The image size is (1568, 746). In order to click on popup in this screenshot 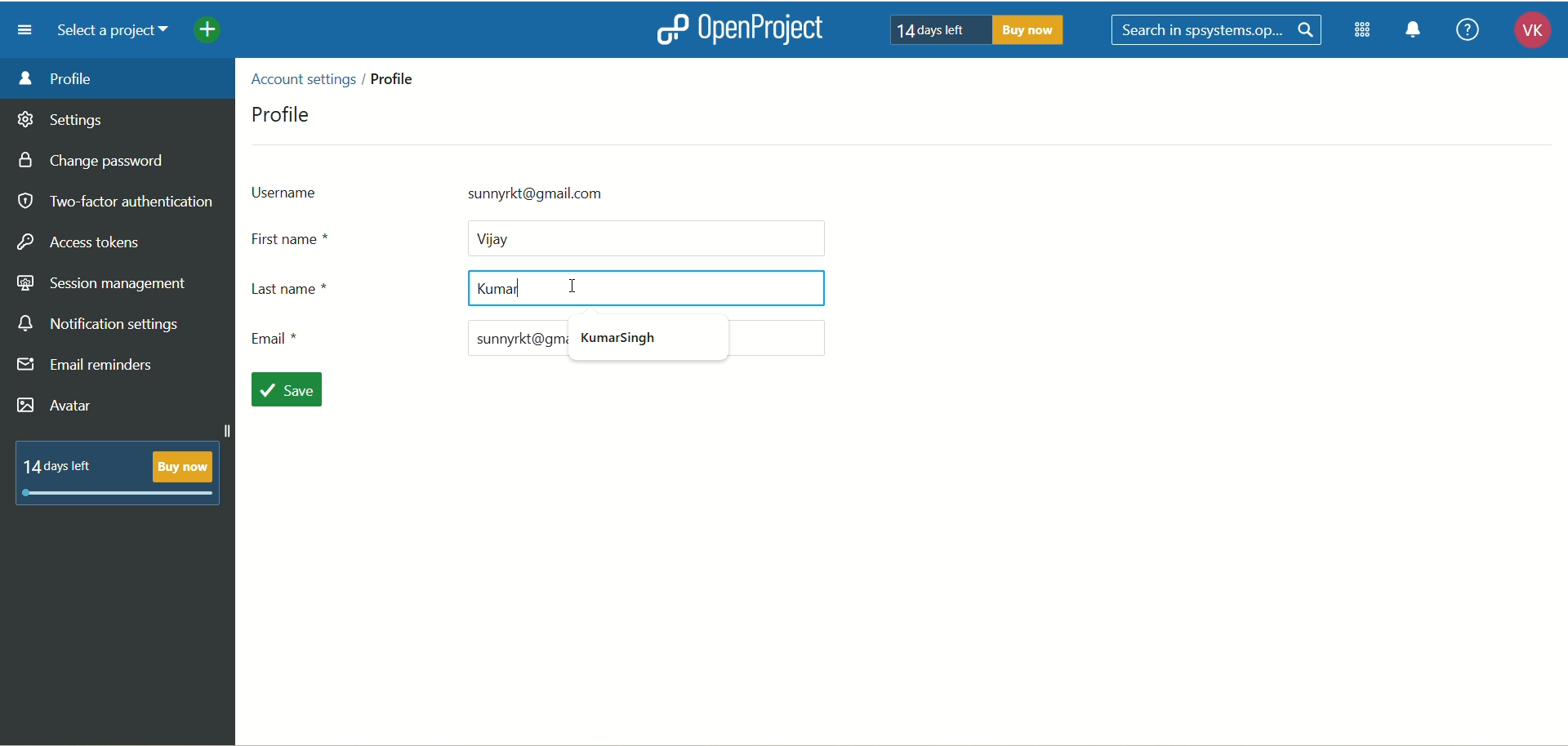, I will do `click(633, 342)`.